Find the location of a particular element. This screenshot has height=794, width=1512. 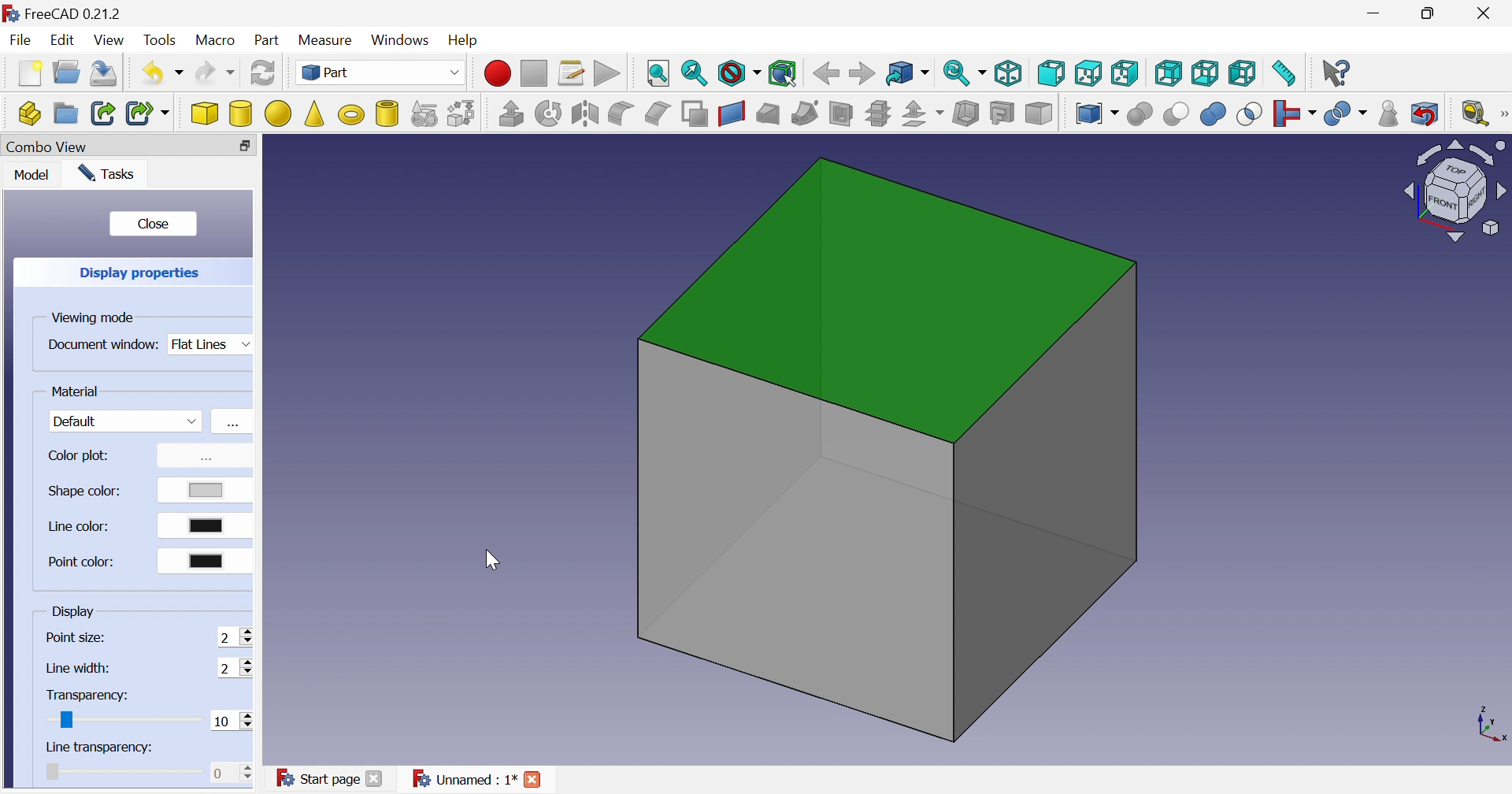

Forward is located at coordinates (863, 72).